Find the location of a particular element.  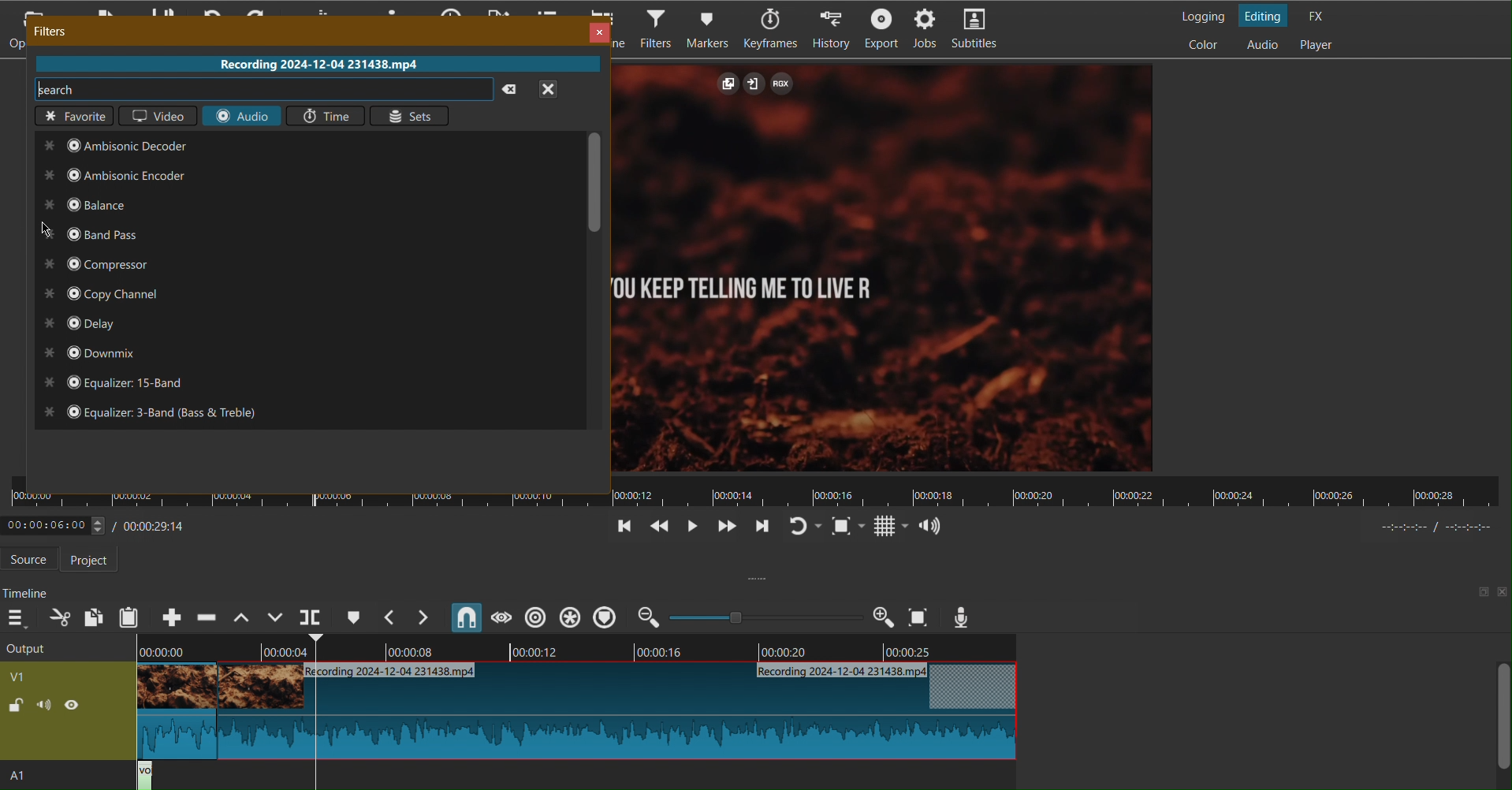

Timestamp is located at coordinates (103, 522).